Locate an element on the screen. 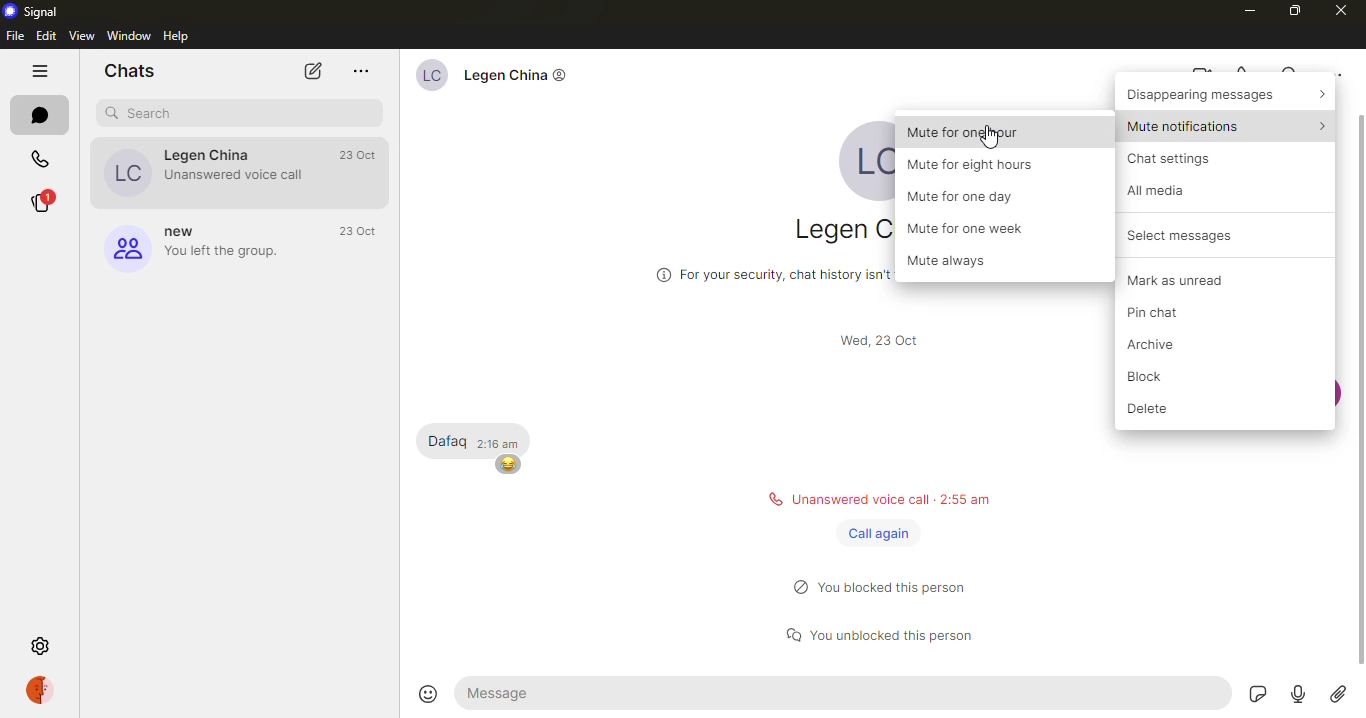 The image size is (1366, 718). attach is located at coordinates (1339, 697).